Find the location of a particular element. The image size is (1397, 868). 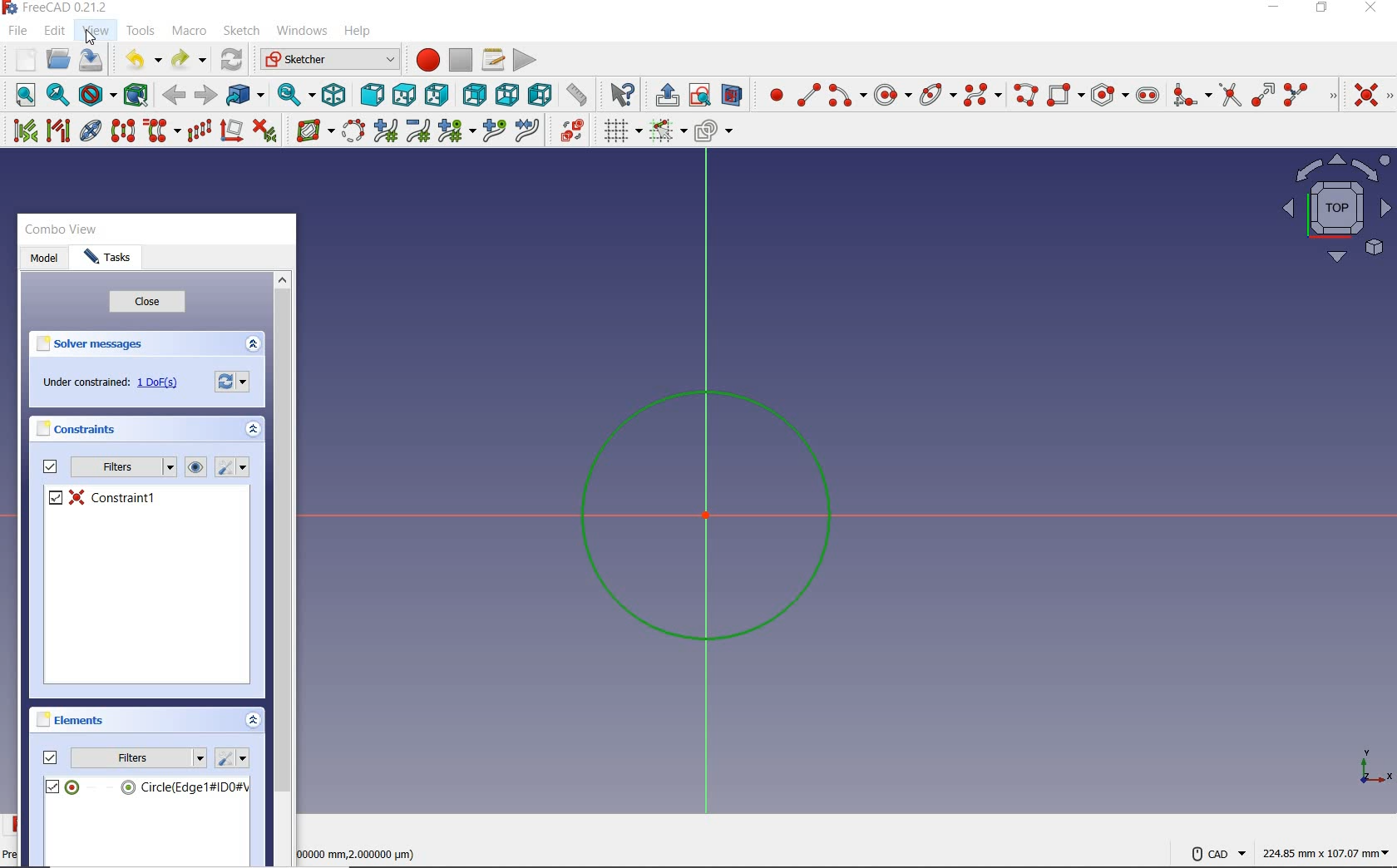

undo is located at coordinates (140, 60).